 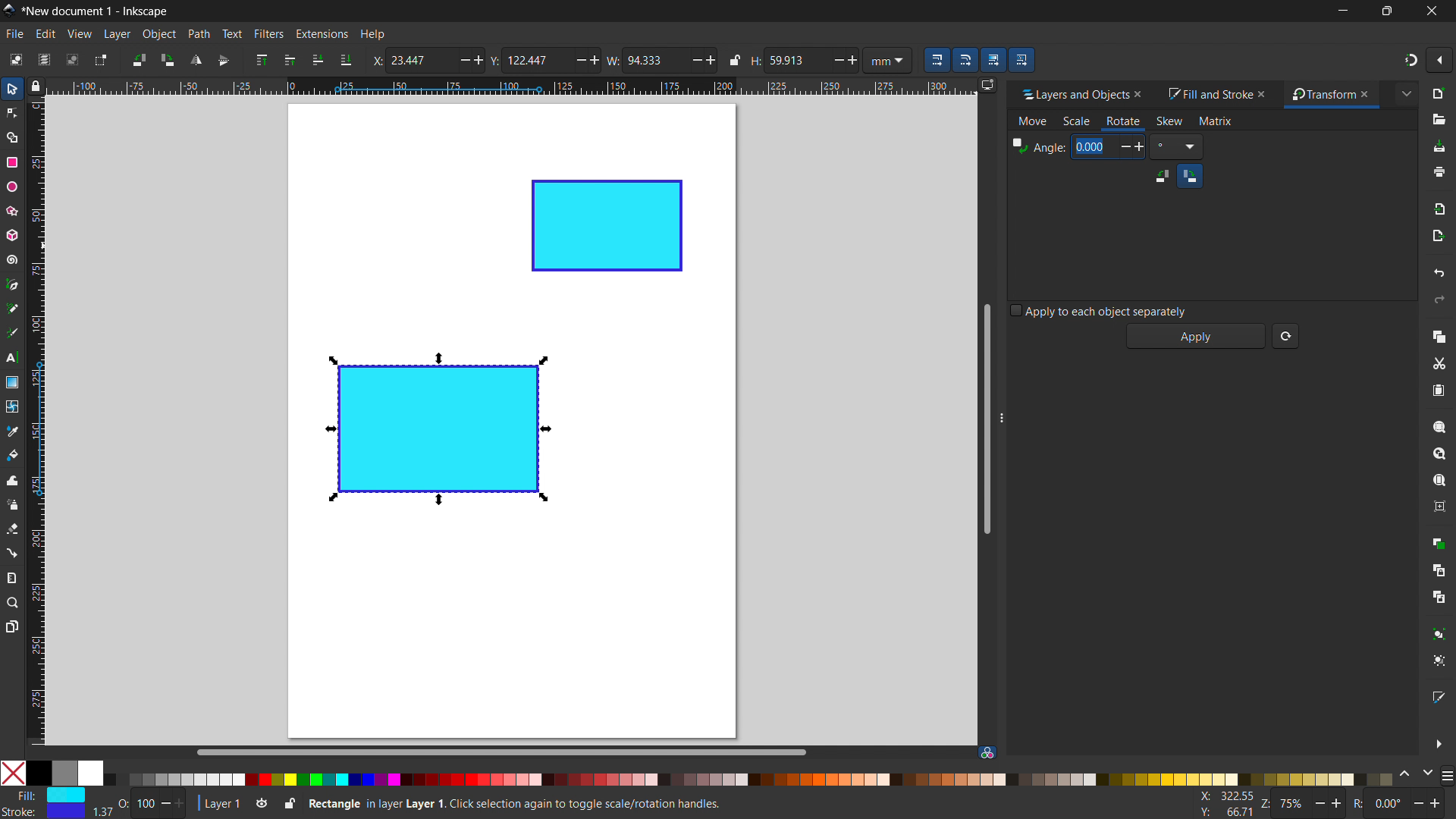 I want to click on pen tool, so click(x=13, y=284).